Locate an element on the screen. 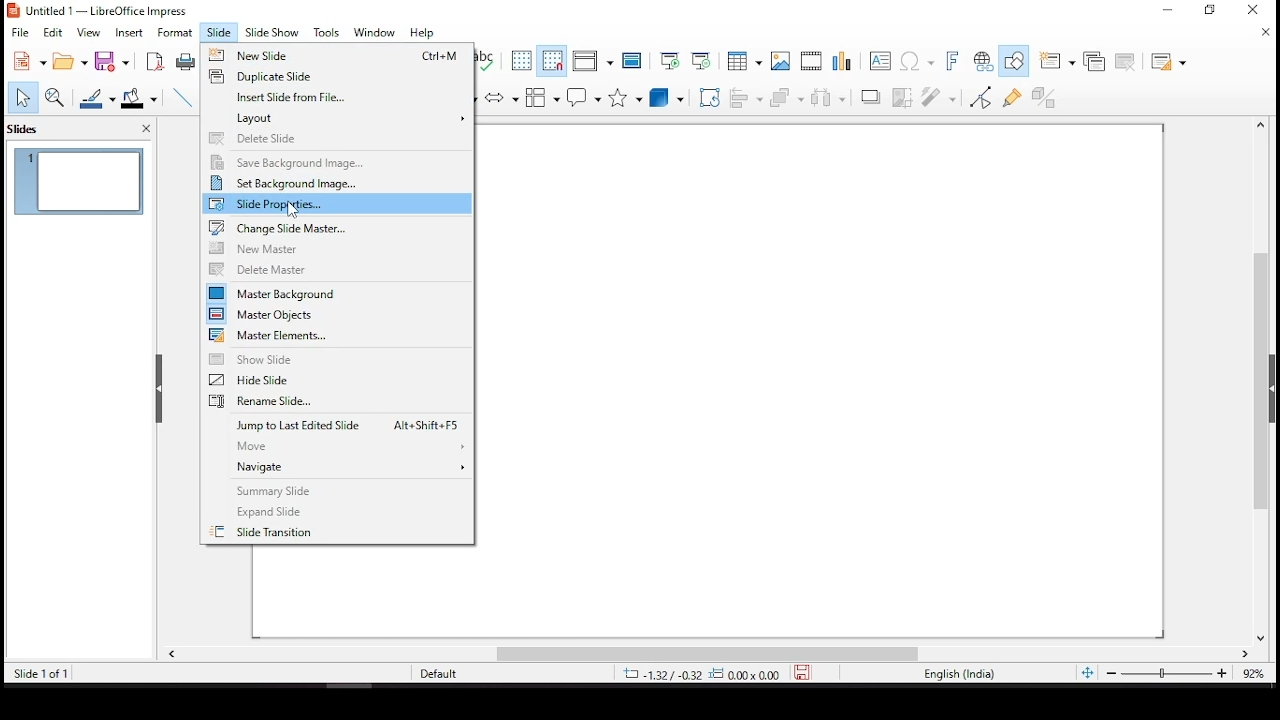  scroll bar is located at coordinates (720, 654).